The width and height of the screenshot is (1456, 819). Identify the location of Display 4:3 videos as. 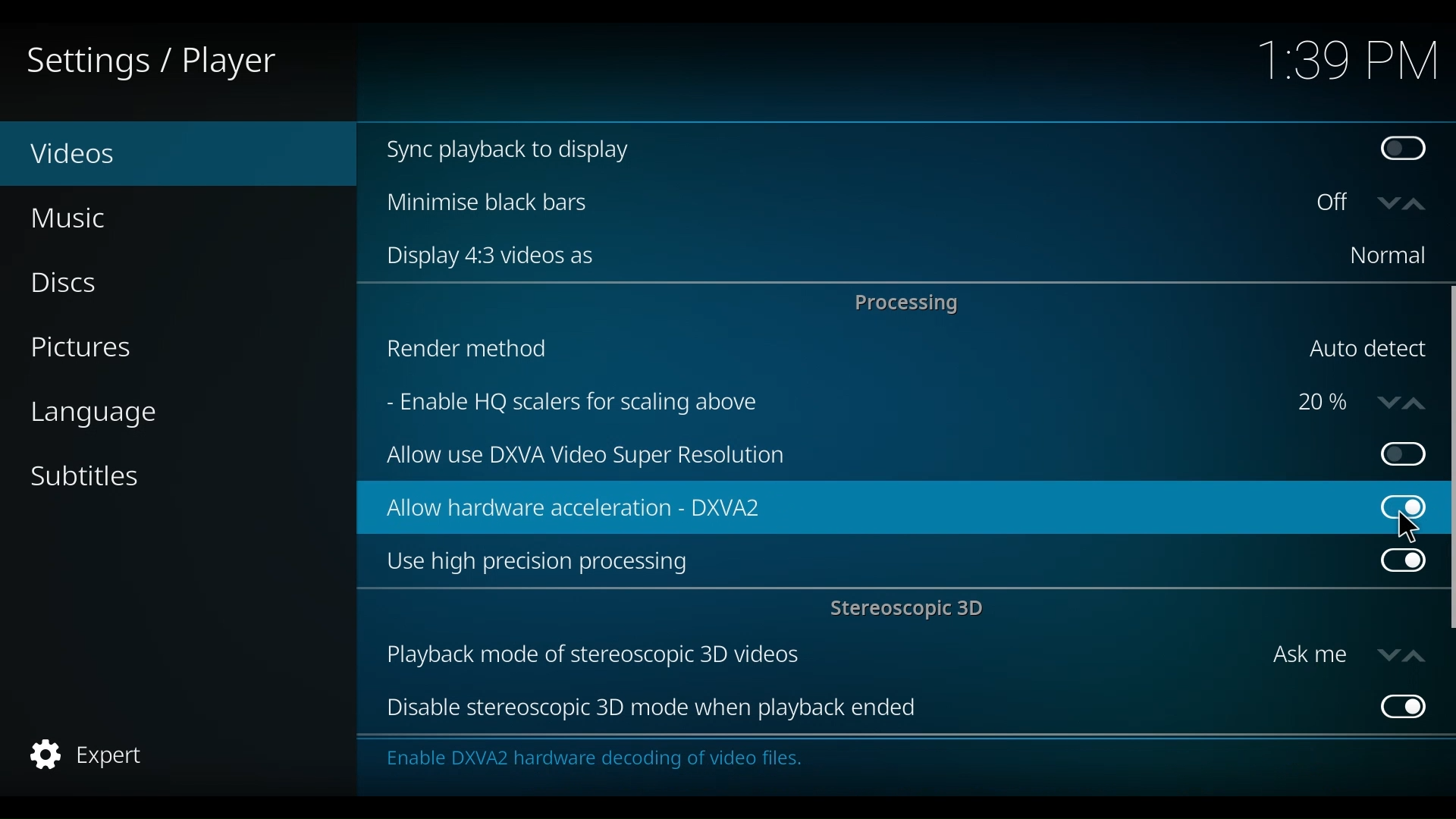
(844, 256).